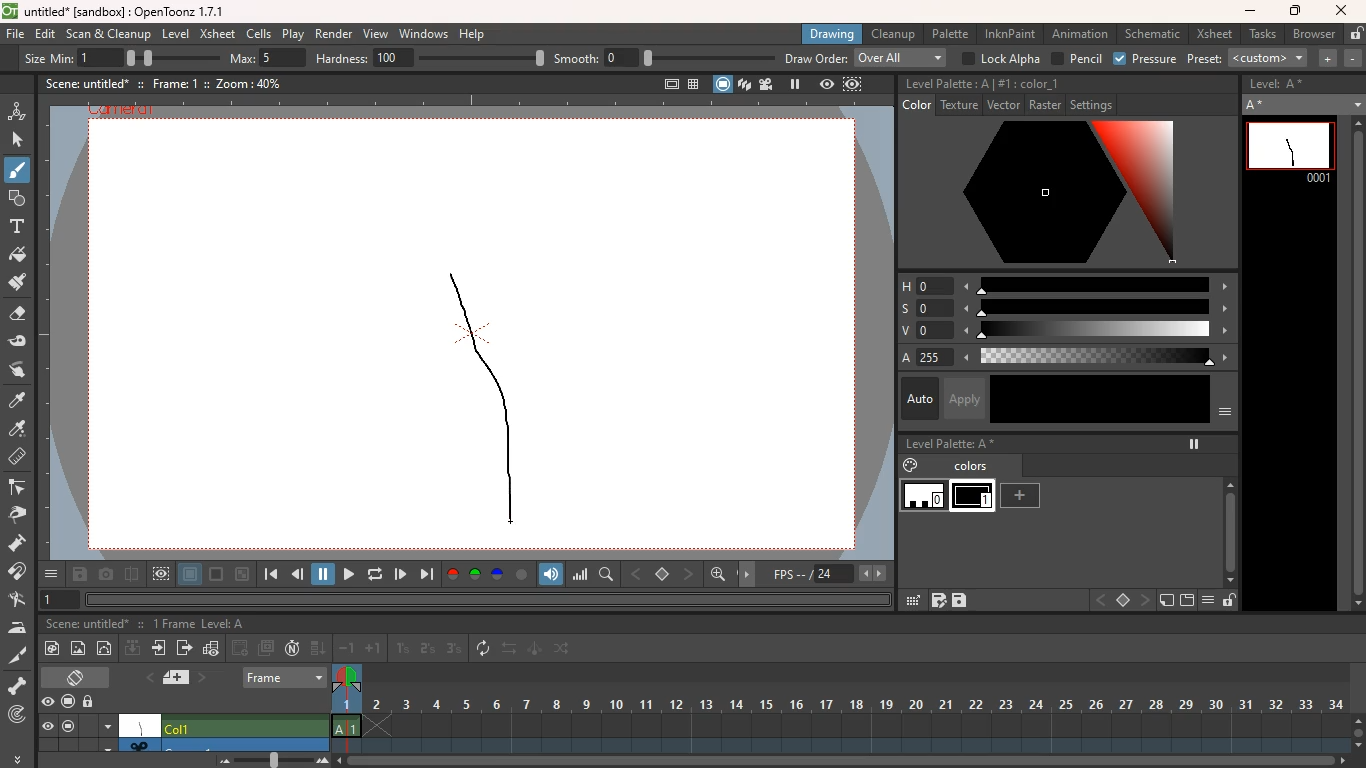  I want to click on circle, so click(522, 574).